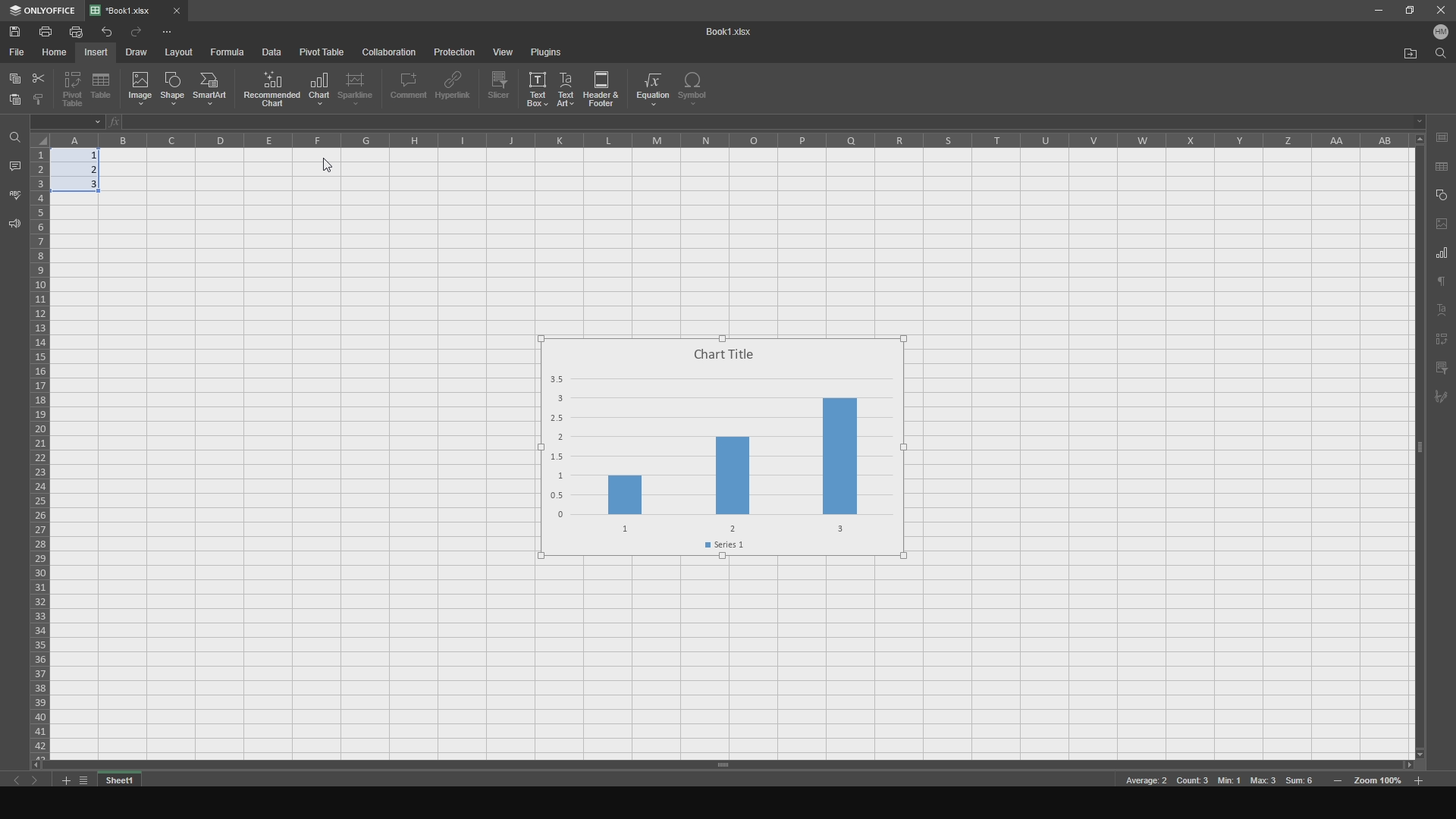 This screenshot has height=819, width=1456. What do you see at coordinates (213, 91) in the screenshot?
I see `smartart` at bounding box center [213, 91].